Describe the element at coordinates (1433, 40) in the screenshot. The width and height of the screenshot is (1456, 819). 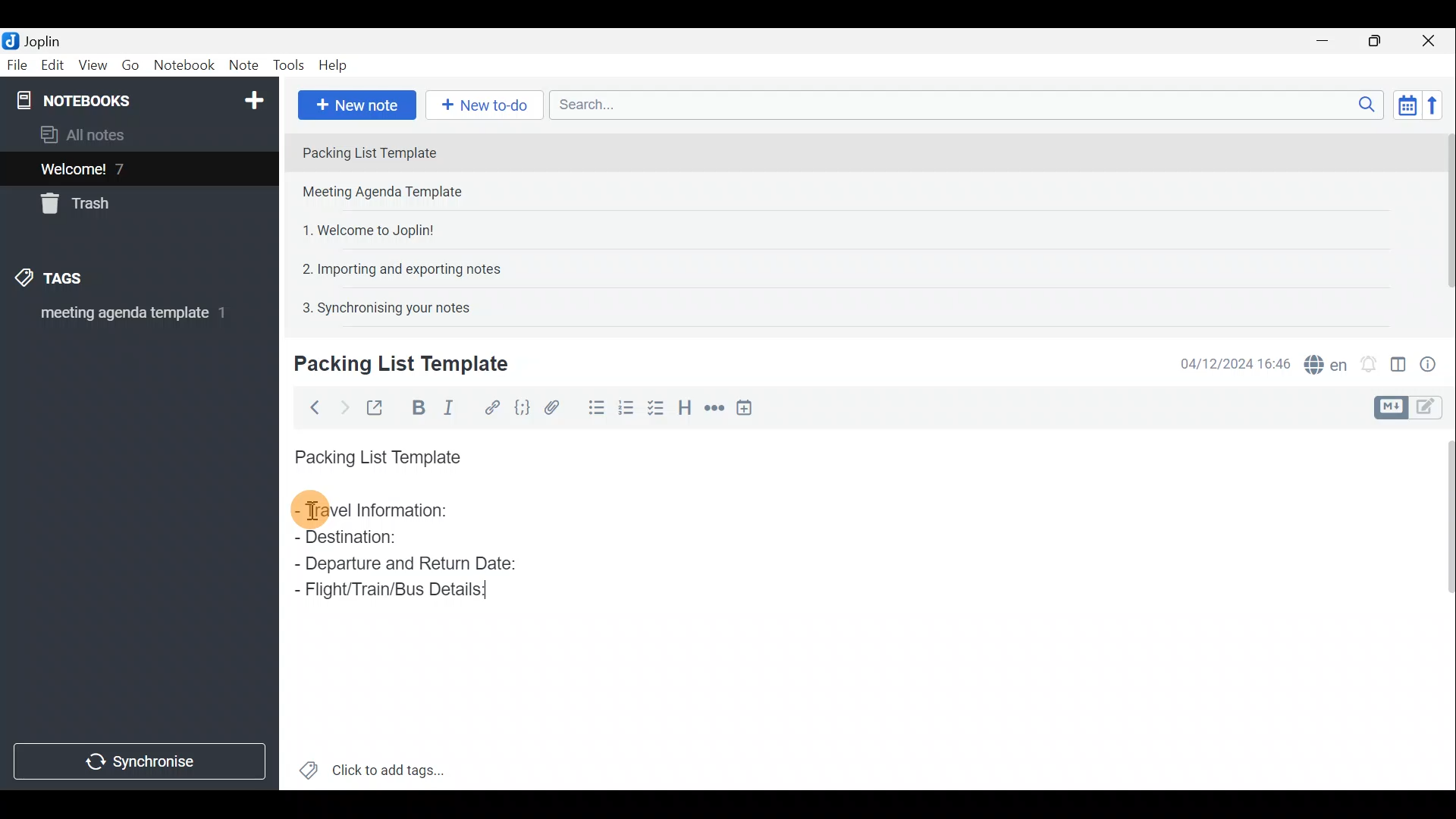
I see `Close` at that location.